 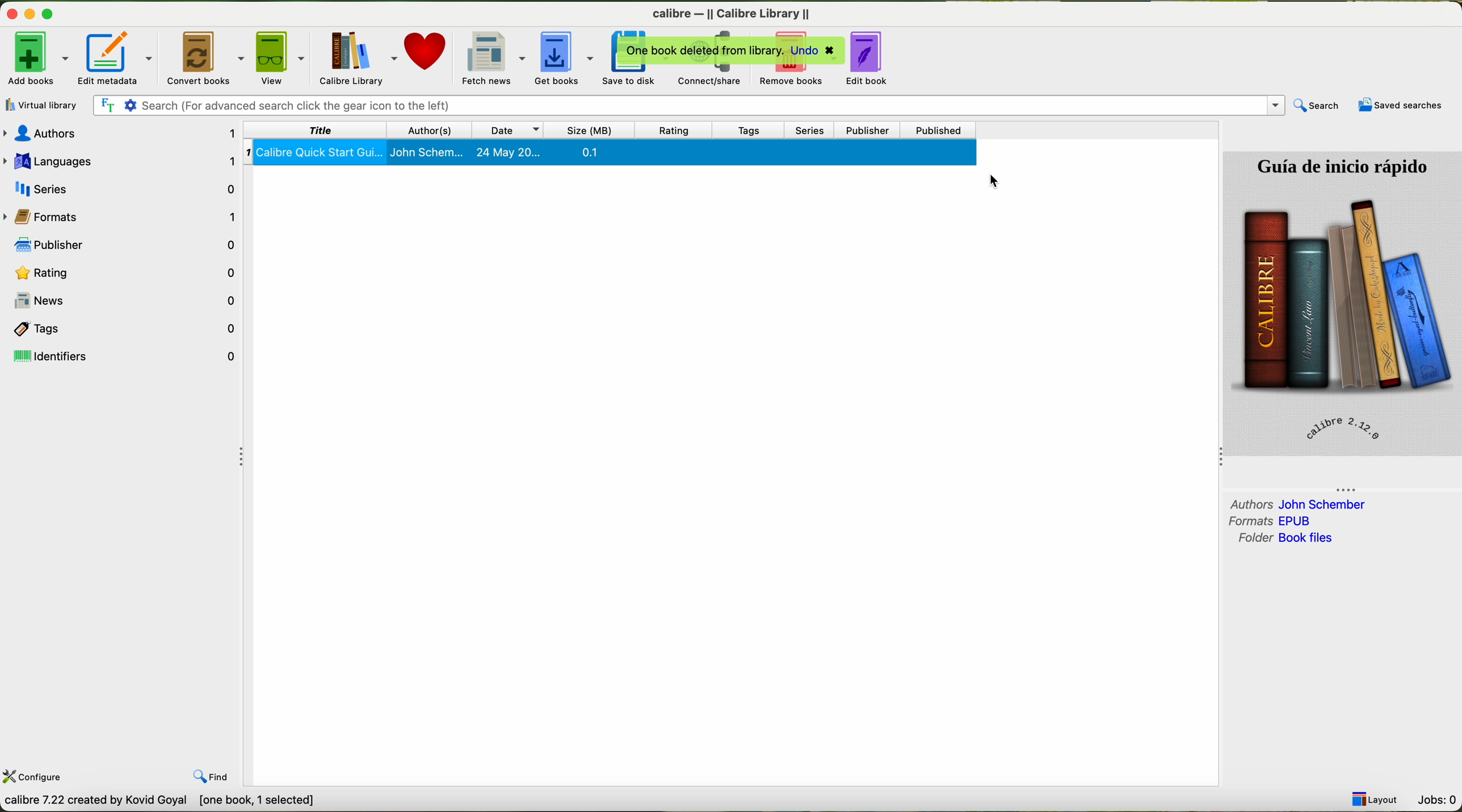 What do you see at coordinates (314, 130) in the screenshot?
I see `title` at bounding box center [314, 130].